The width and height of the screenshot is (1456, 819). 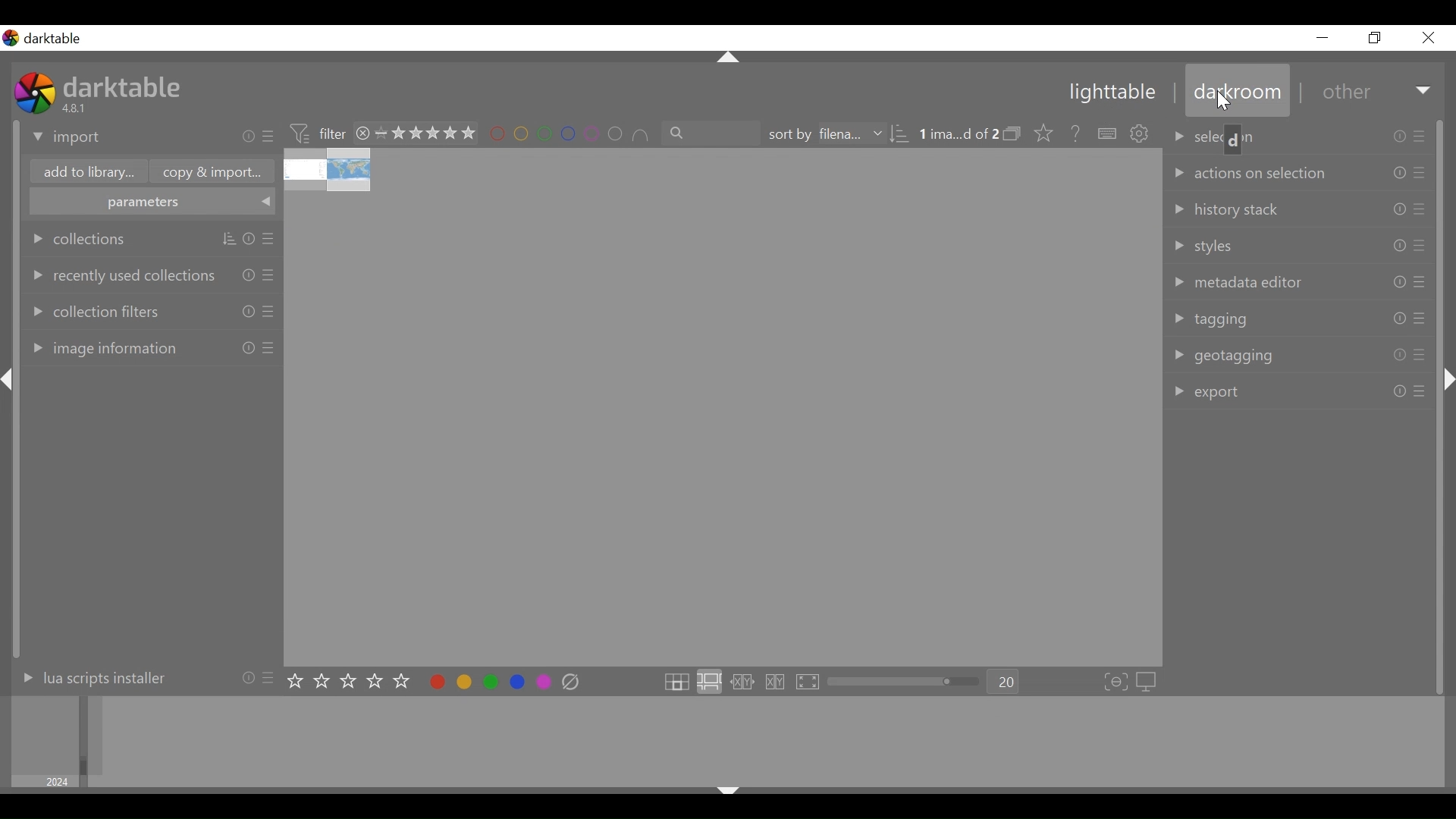 What do you see at coordinates (571, 684) in the screenshot?
I see `clear color labels` at bounding box center [571, 684].